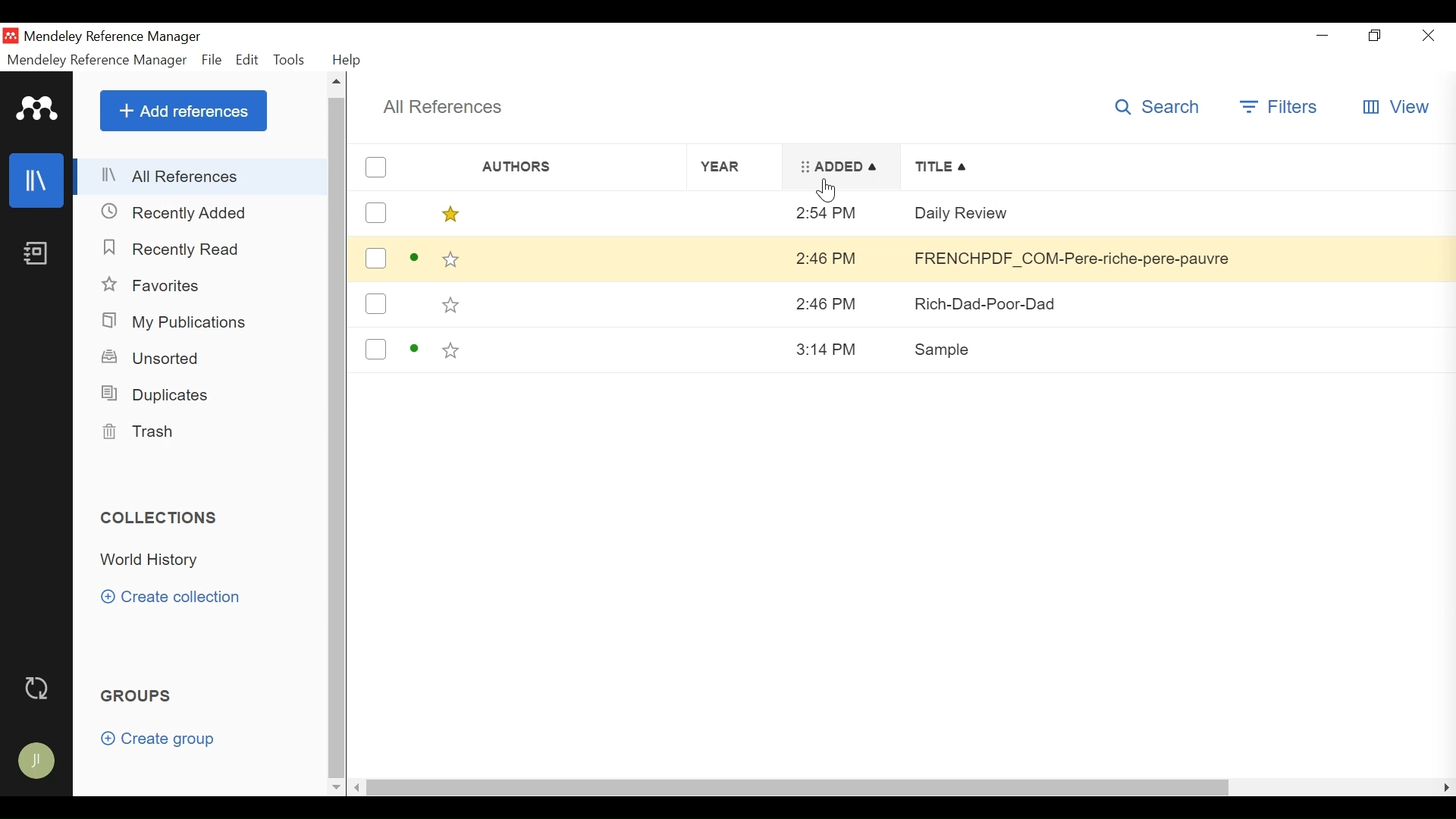  I want to click on Collection, so click(155, 560).